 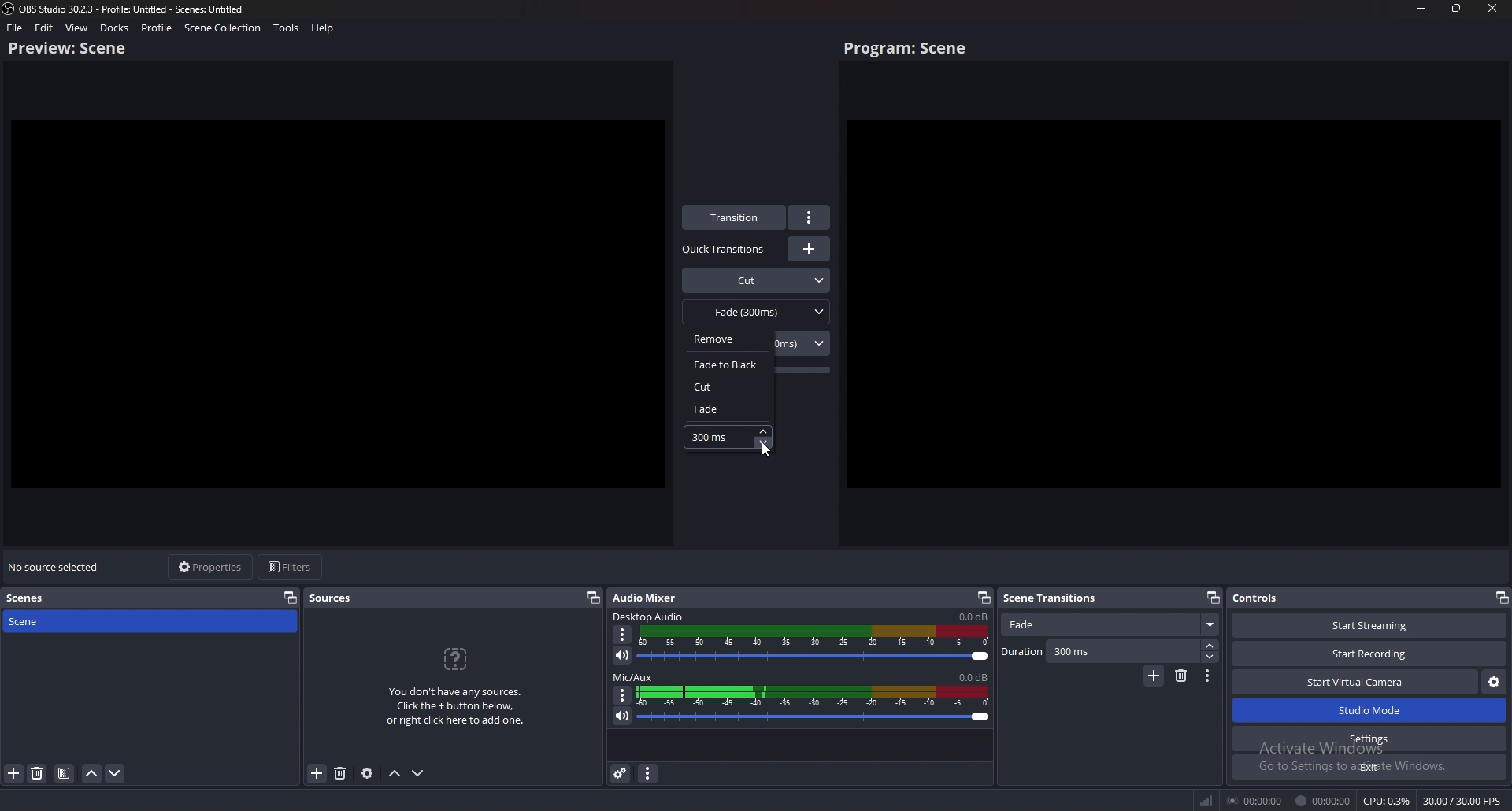 What do you see at coordinates (1422, 8) in the screenshot?
I see `minimize` at bounding box center [1422, 8].